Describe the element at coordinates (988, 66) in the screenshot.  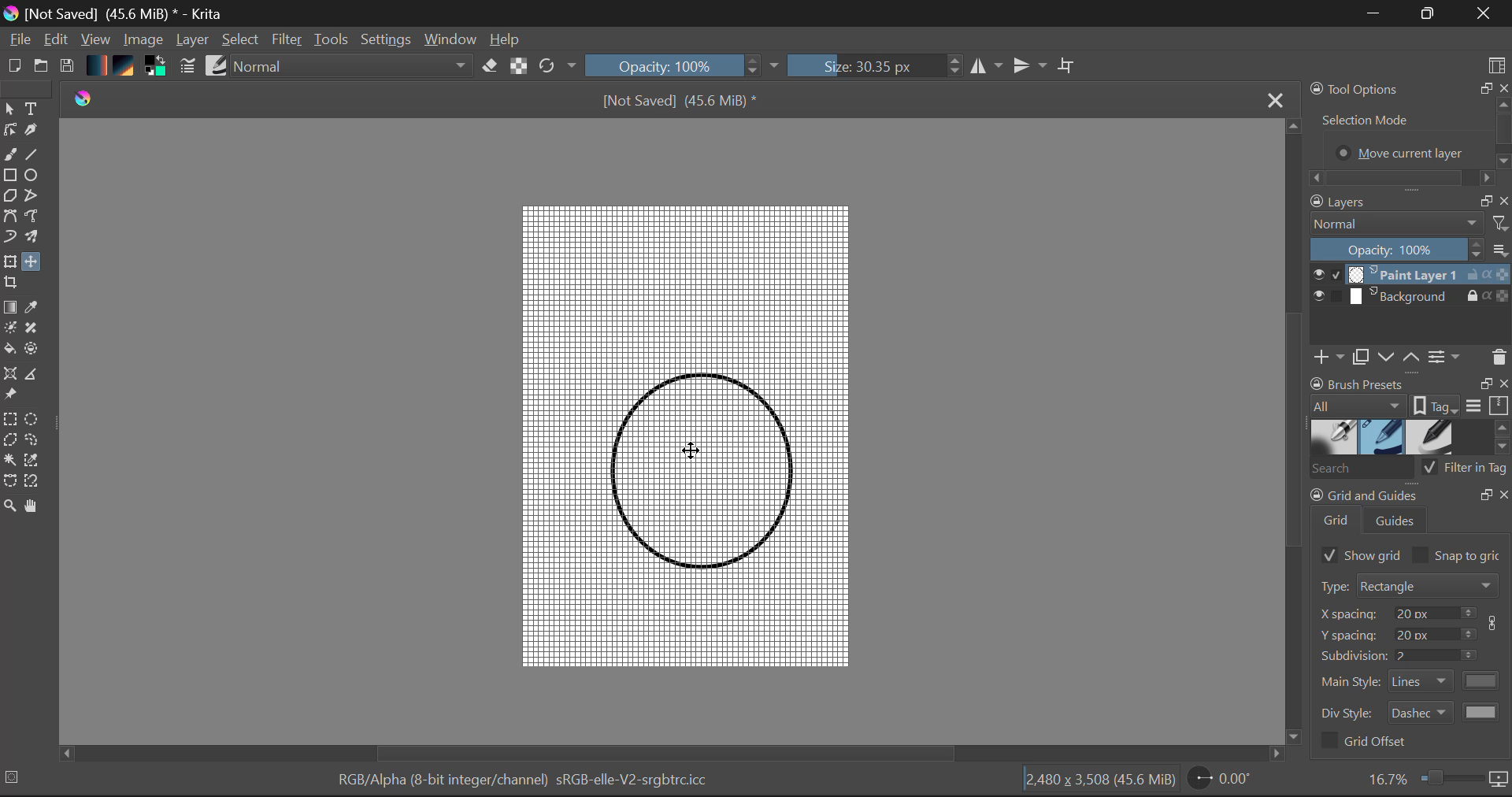
I see `Vertical Mirror Flip` at that location.